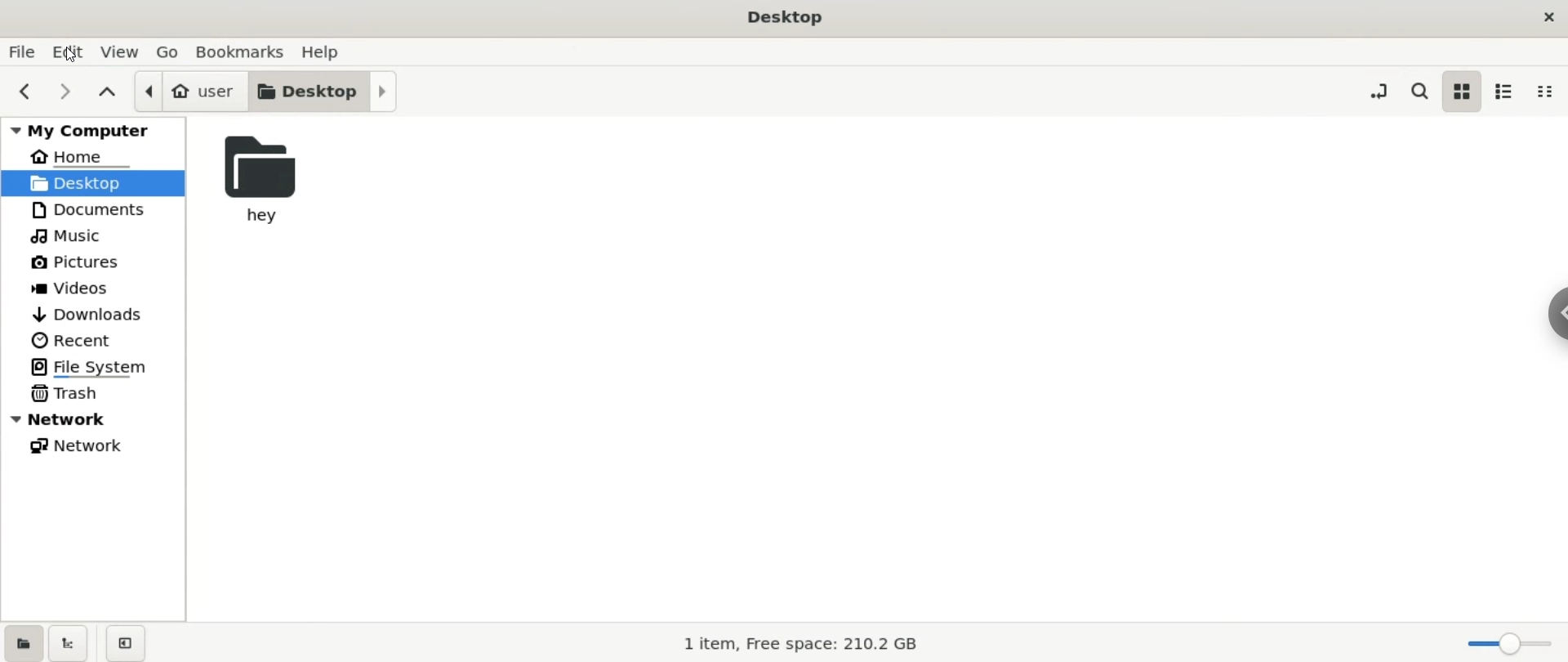  What do you see at coordinates (122, 51) in the screenshot?
I see `view` at bounding box center [122, 51].